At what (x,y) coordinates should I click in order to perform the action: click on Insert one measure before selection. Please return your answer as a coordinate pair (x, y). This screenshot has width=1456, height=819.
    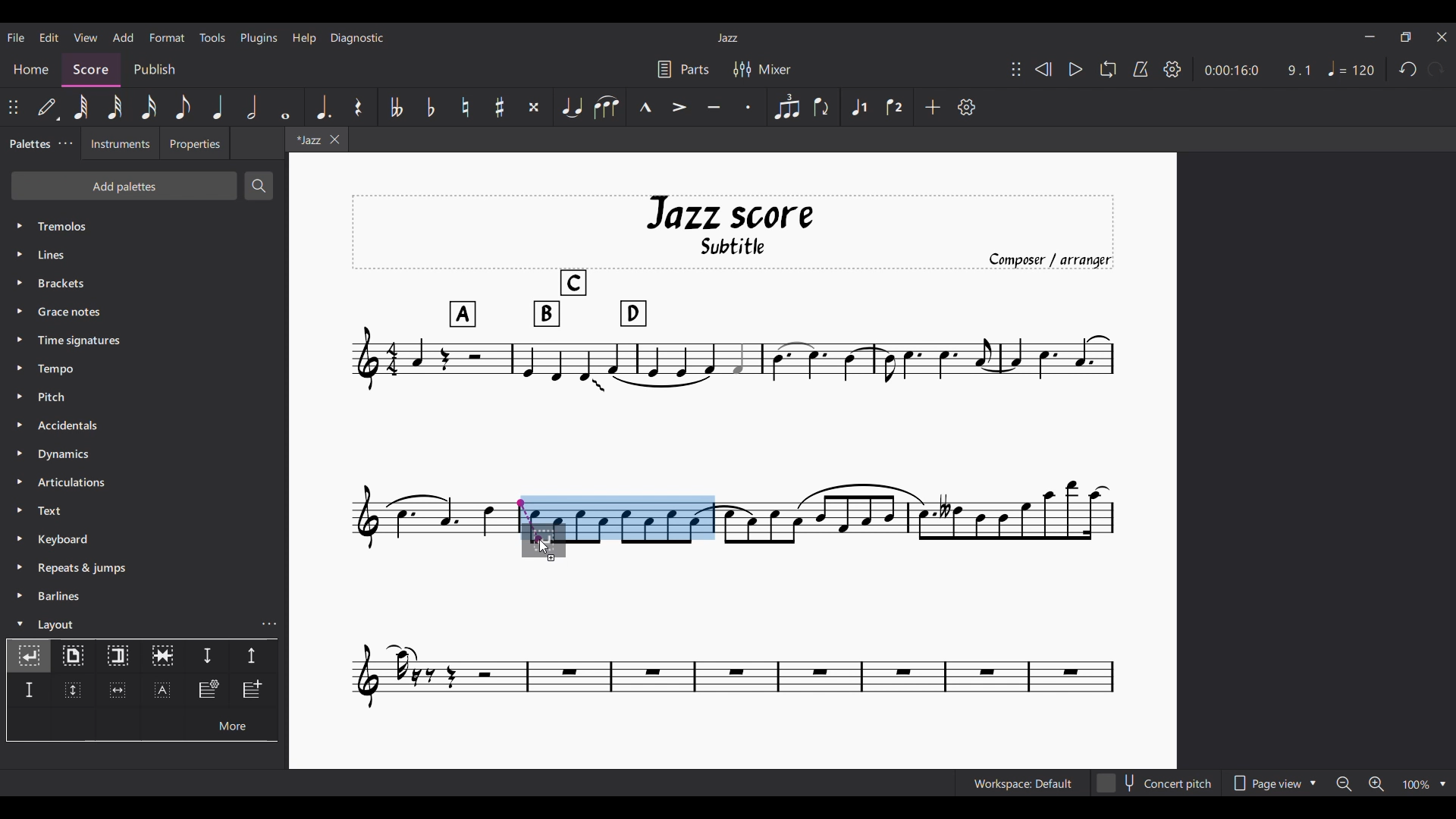
    Looking at the image, I should click on (254, 691).